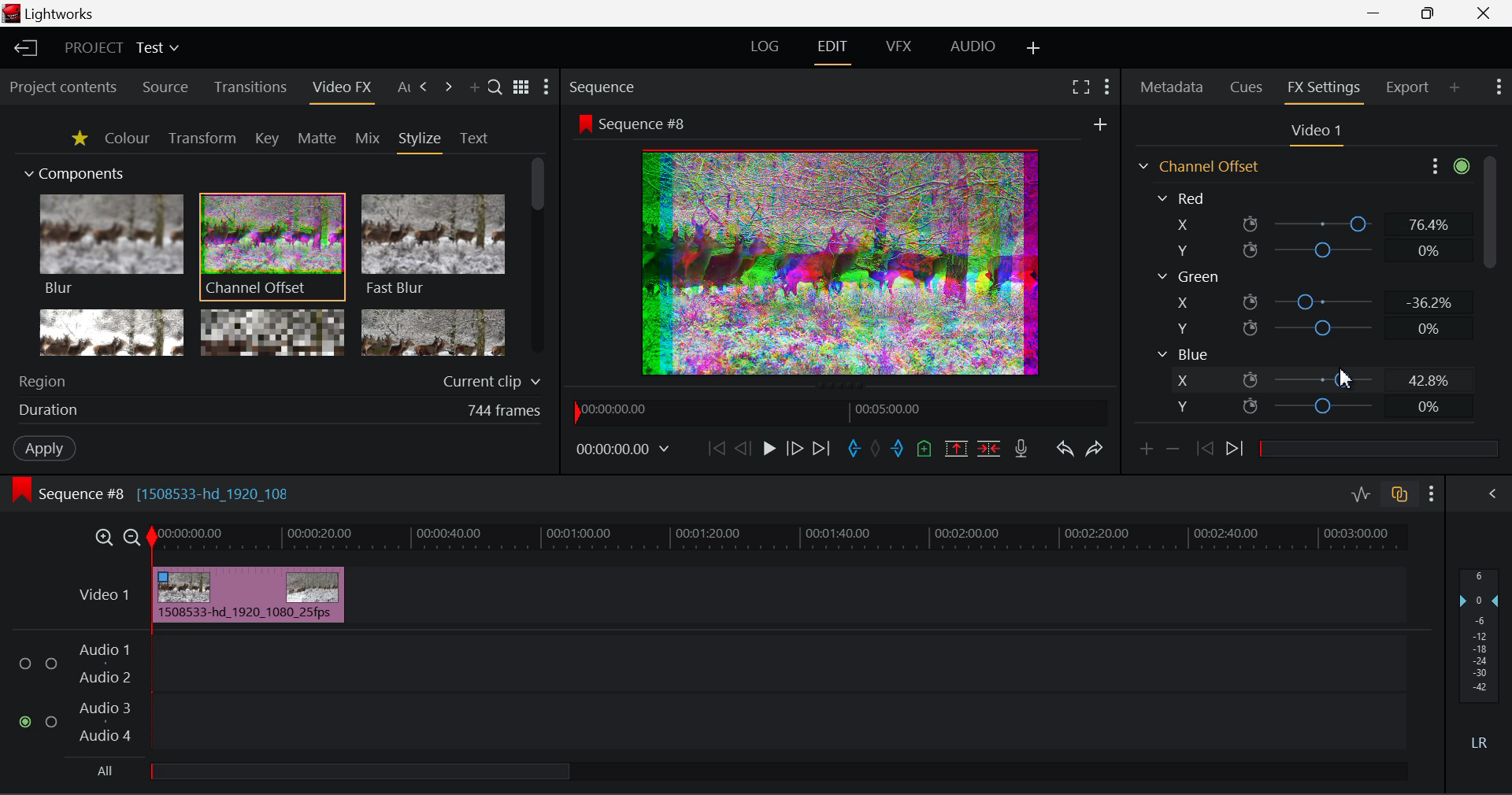  What do you see at coordinates (60, 14) in the screenshot?
I see `Window Title` at bounding box center [60, 14].